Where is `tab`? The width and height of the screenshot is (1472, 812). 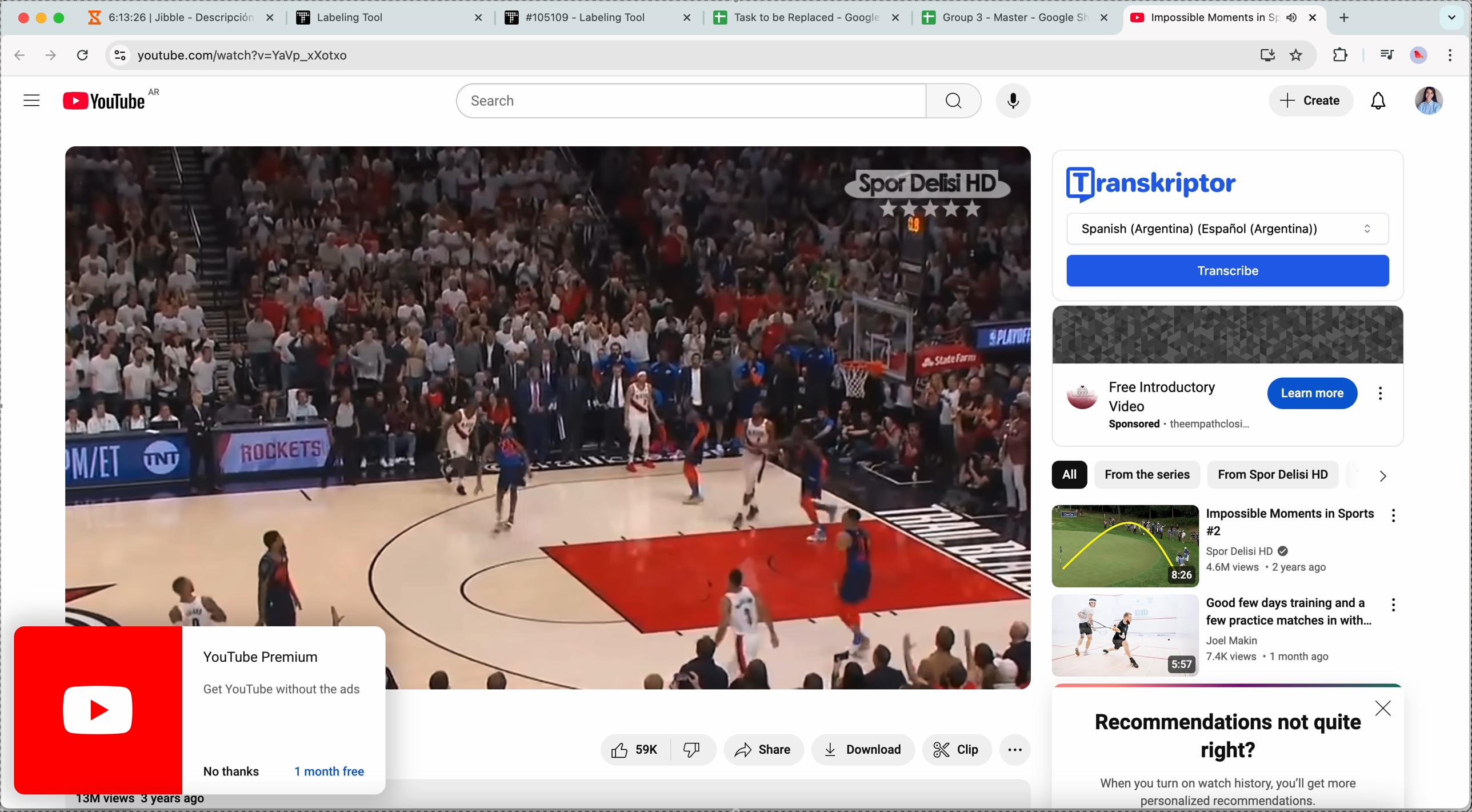
tab is located at coordinates (181, 17).